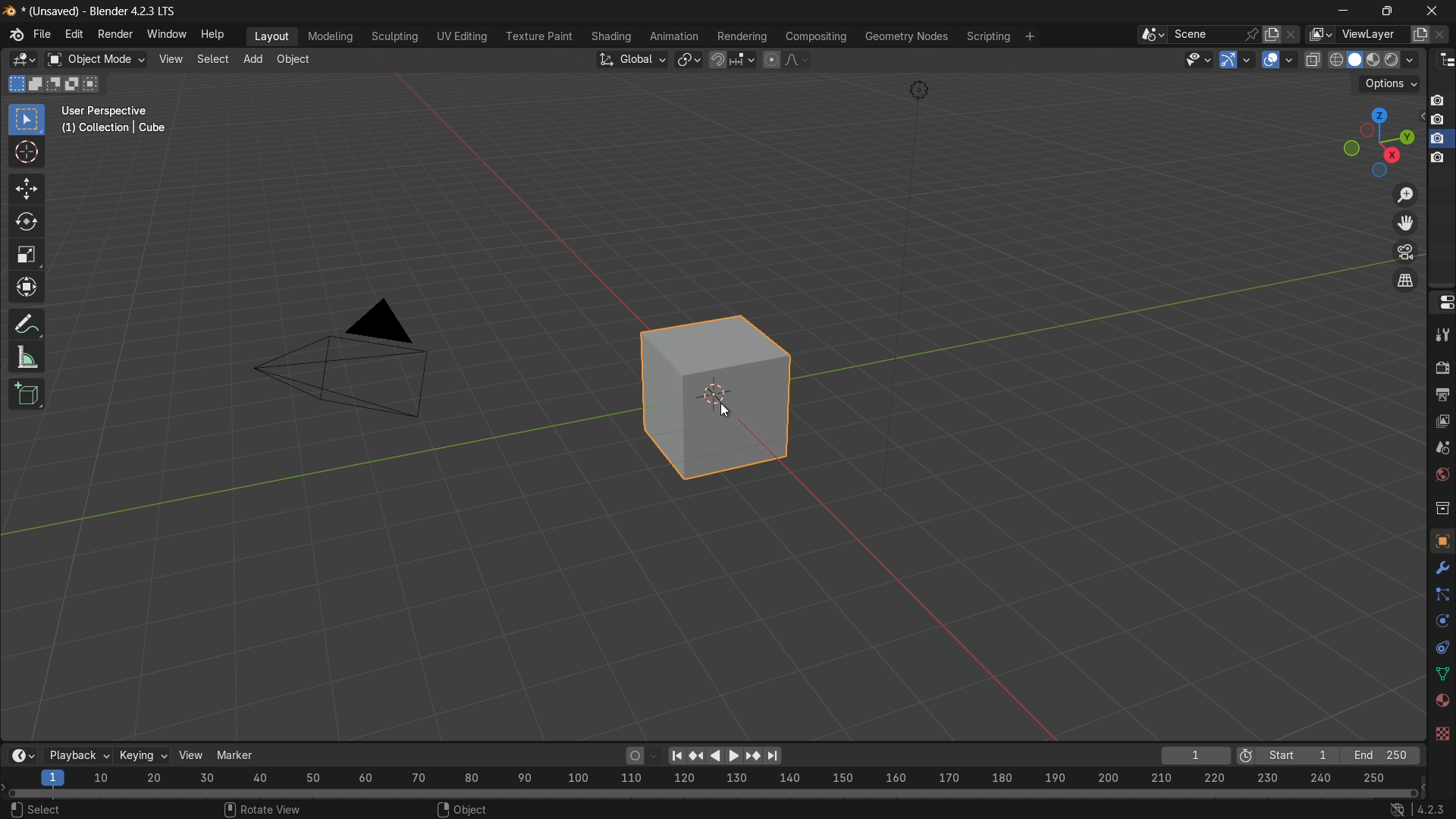 The image size is (1456, 819). What do you see at coordinates (26, 286) in the screenshot?
I see `transform` at bounding box center [26, 286].